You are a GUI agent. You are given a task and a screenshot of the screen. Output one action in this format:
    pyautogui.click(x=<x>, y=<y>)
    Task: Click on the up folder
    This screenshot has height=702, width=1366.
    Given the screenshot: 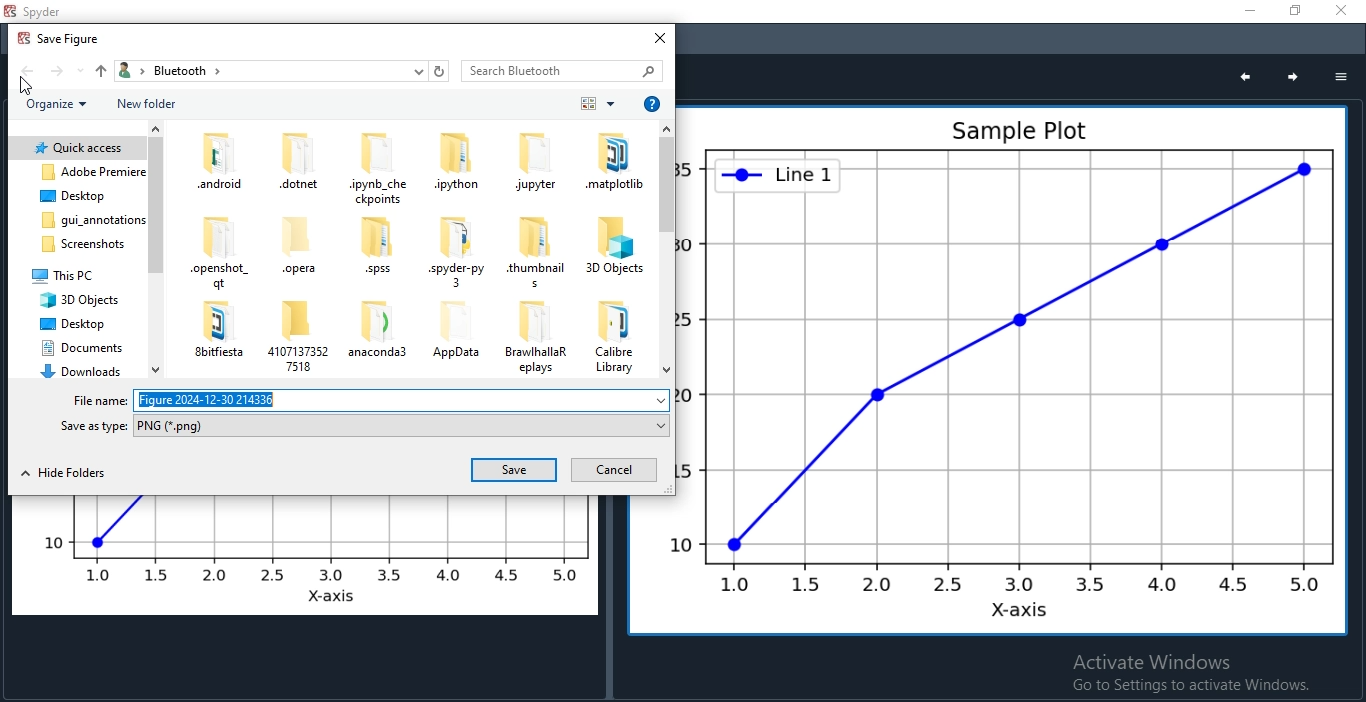 What is the action you would take?
    pyautogui.click(x=101, y=72)
    